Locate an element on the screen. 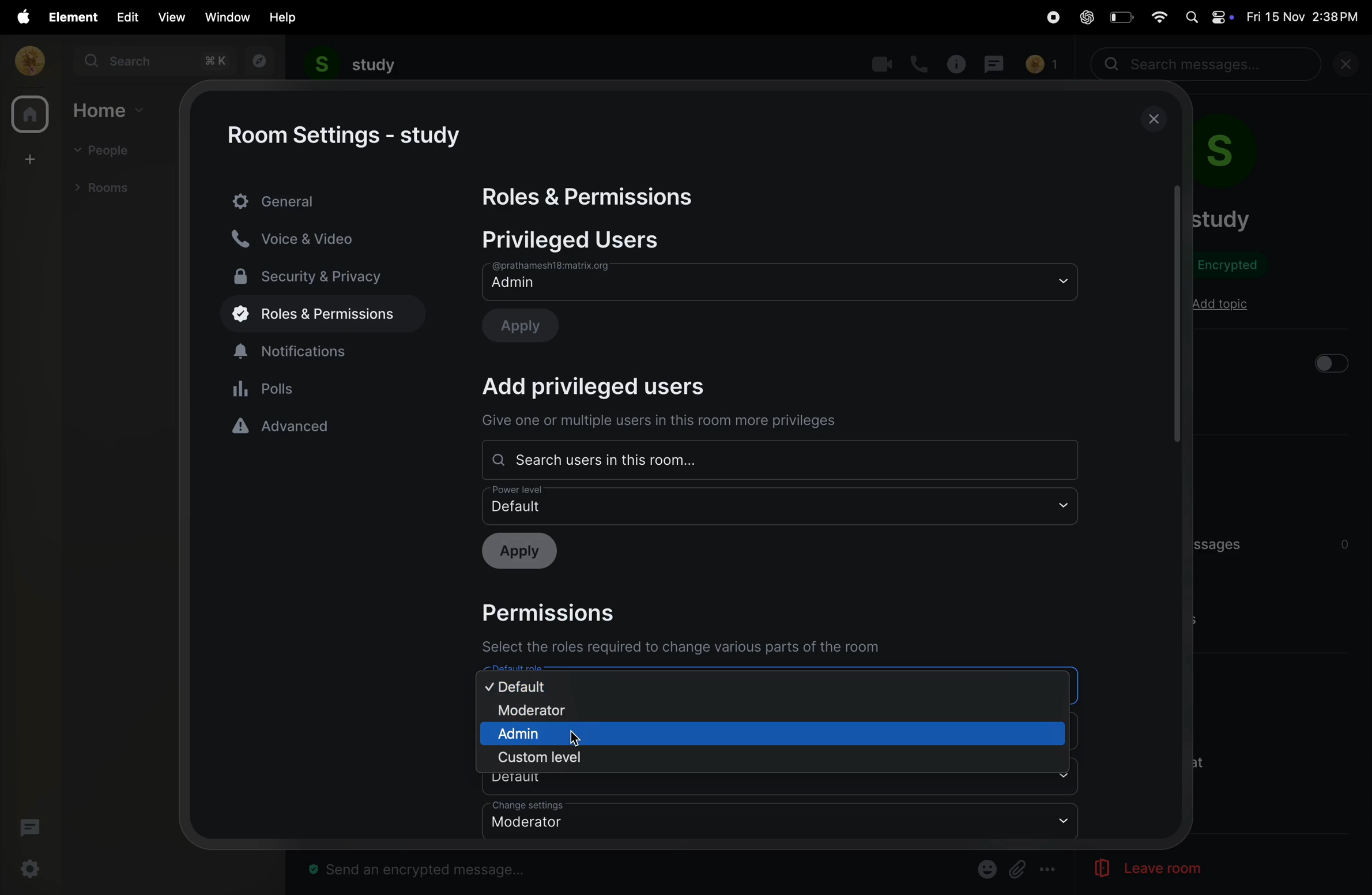 This screenshot has width=1372, height=895. Polls is located at coordinates (325, 388).